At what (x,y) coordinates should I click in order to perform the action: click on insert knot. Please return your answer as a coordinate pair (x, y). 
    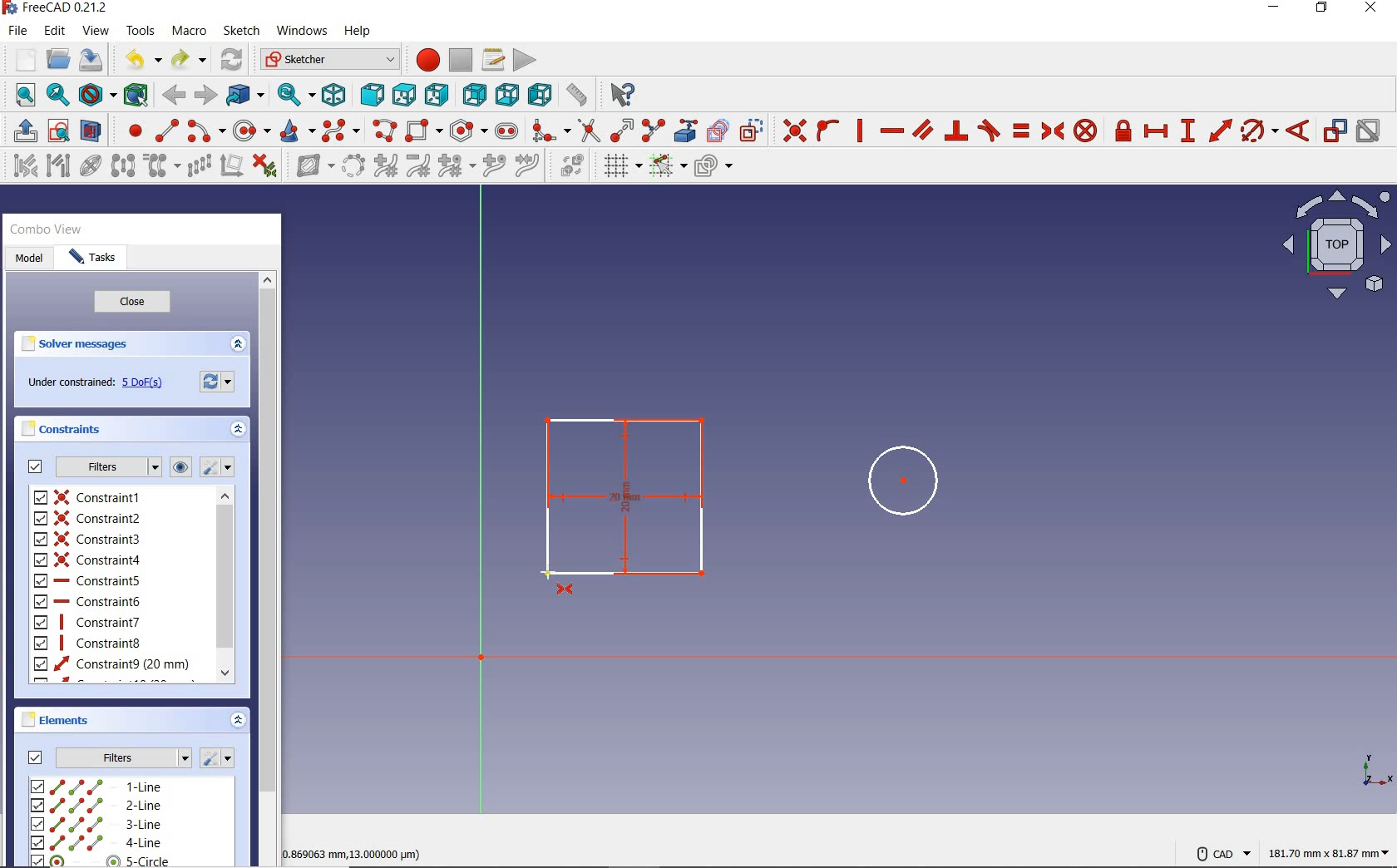
    Looking at the image, I should click on (493, 167).